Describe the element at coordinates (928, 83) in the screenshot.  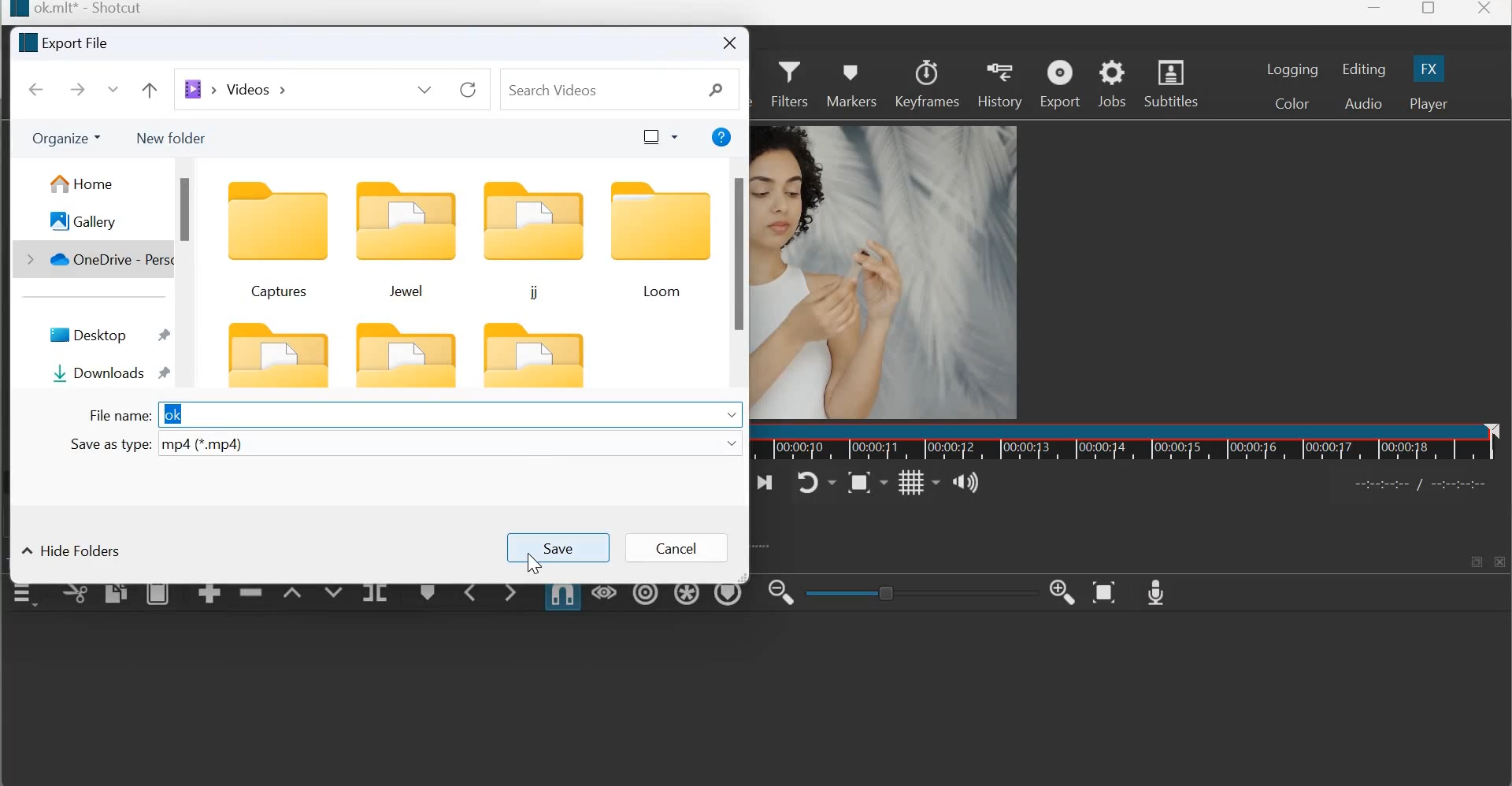
I see `Keyframes` at that location.